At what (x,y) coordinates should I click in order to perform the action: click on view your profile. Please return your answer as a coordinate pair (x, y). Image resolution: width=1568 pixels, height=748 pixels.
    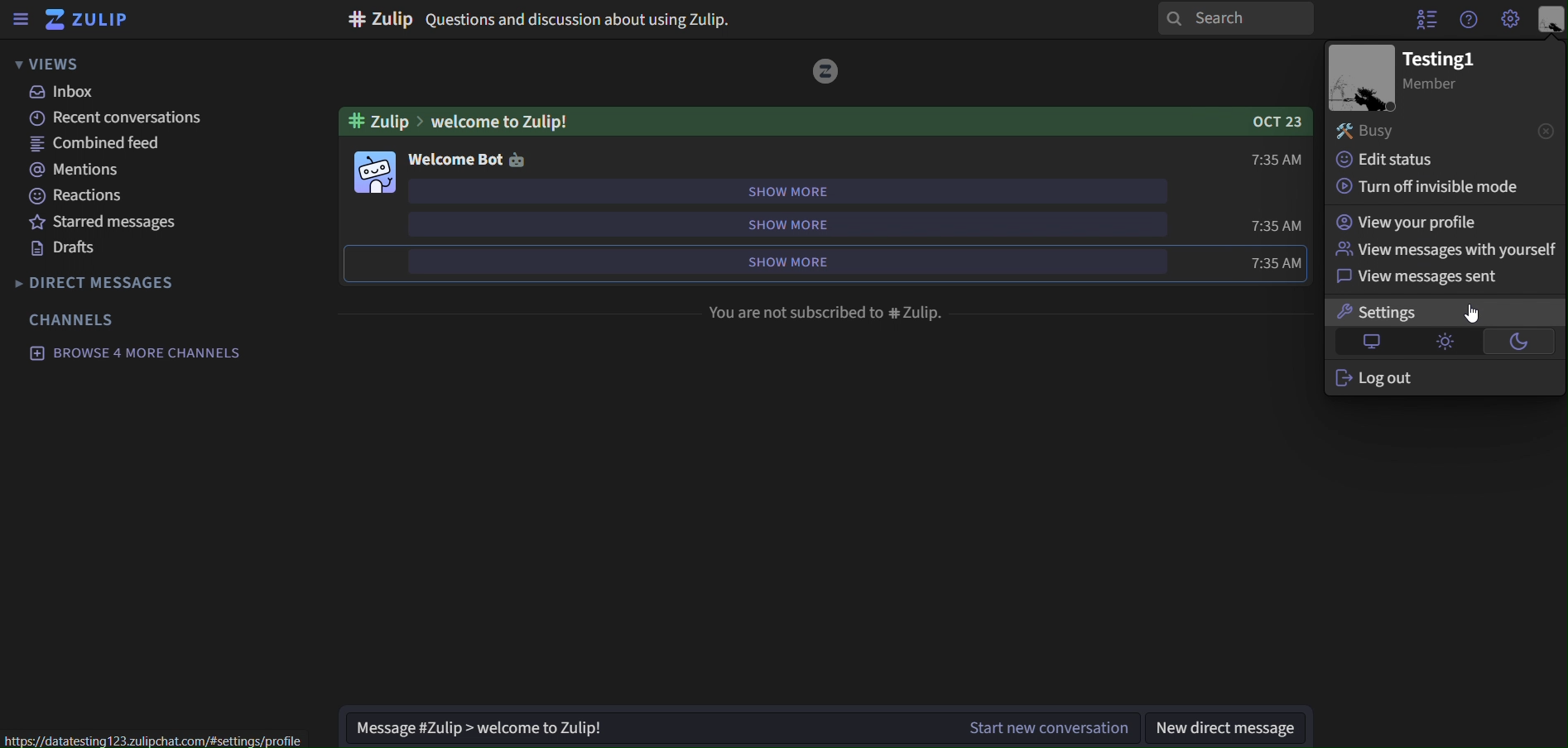
    Looking at the image, I should click on (1408, 222).